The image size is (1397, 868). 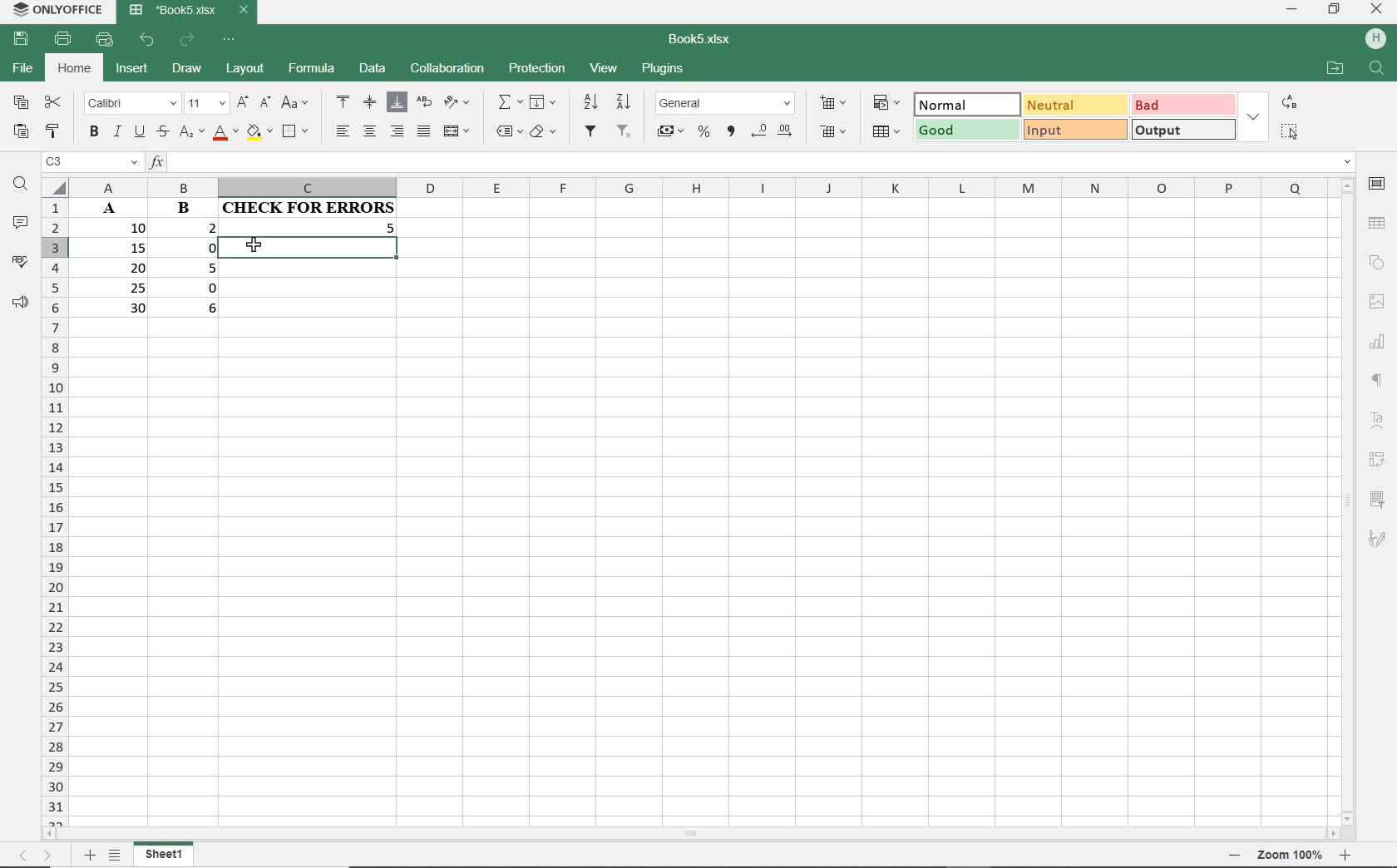 I want to click on WRAP TEXT, so click(x=423, y=103).